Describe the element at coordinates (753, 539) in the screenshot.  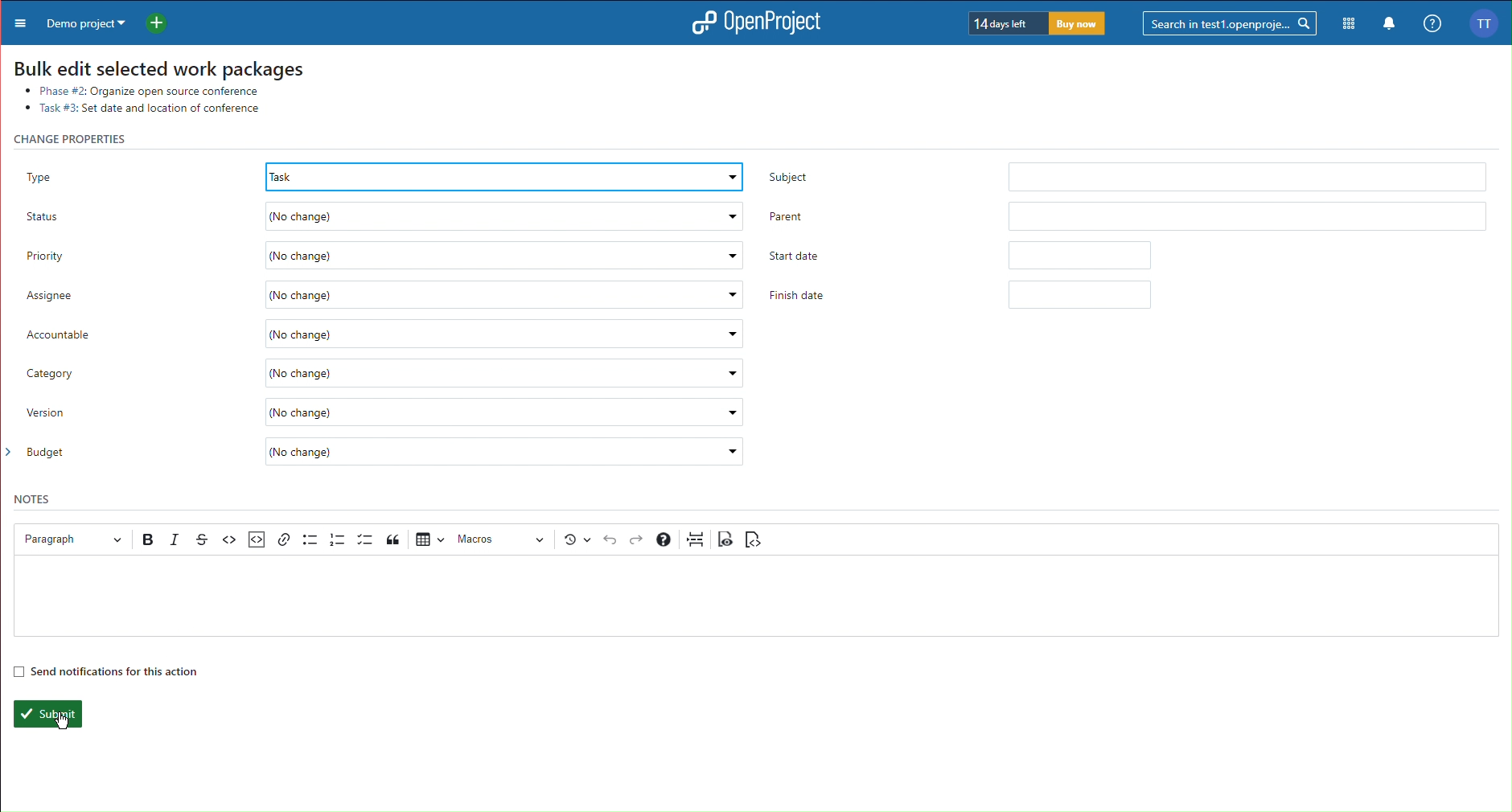
I see `Markdown Source` at that location.